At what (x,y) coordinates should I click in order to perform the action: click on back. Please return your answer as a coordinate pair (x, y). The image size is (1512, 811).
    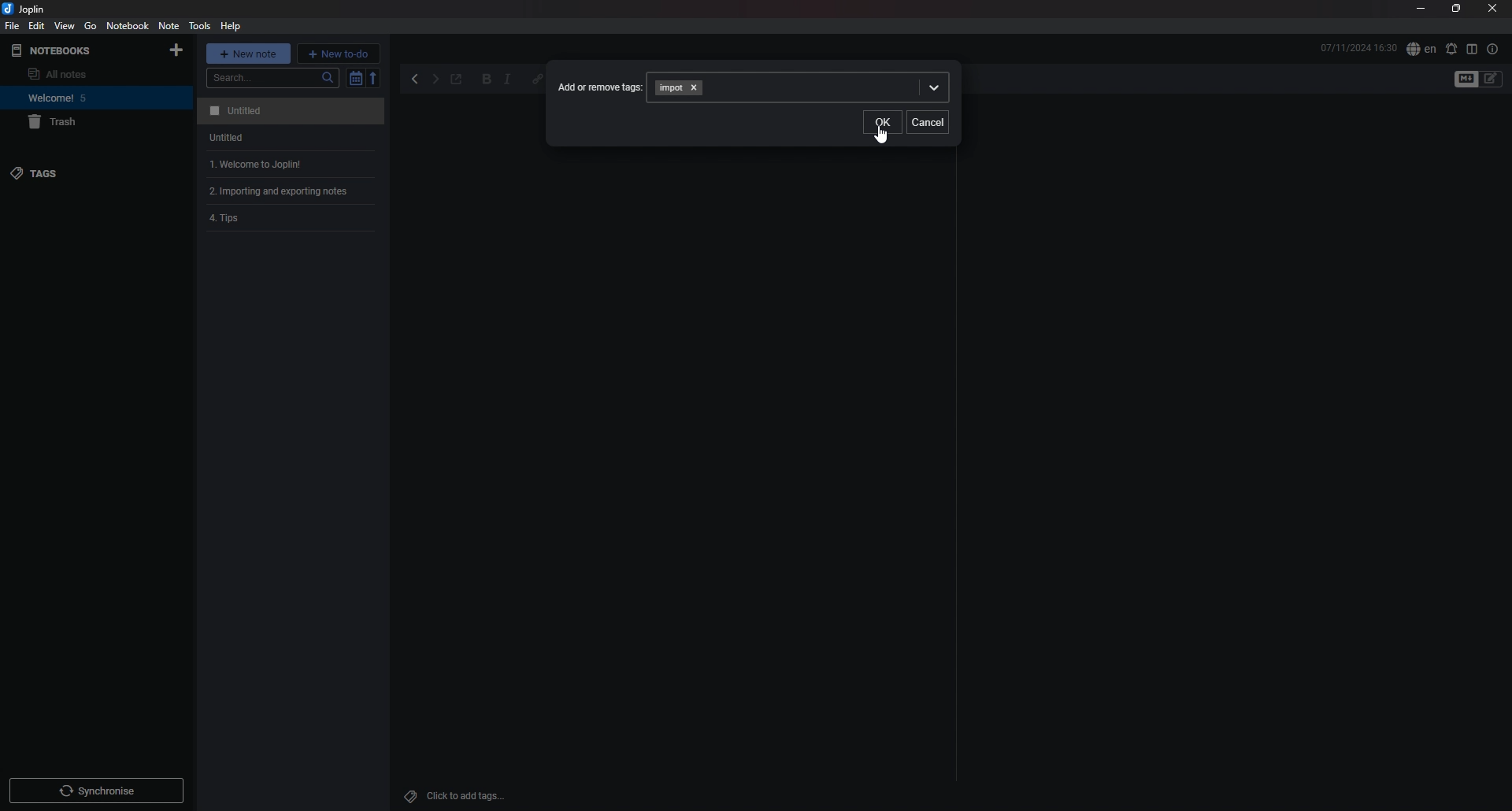
    Looking at the image, I should click on (417, 80).